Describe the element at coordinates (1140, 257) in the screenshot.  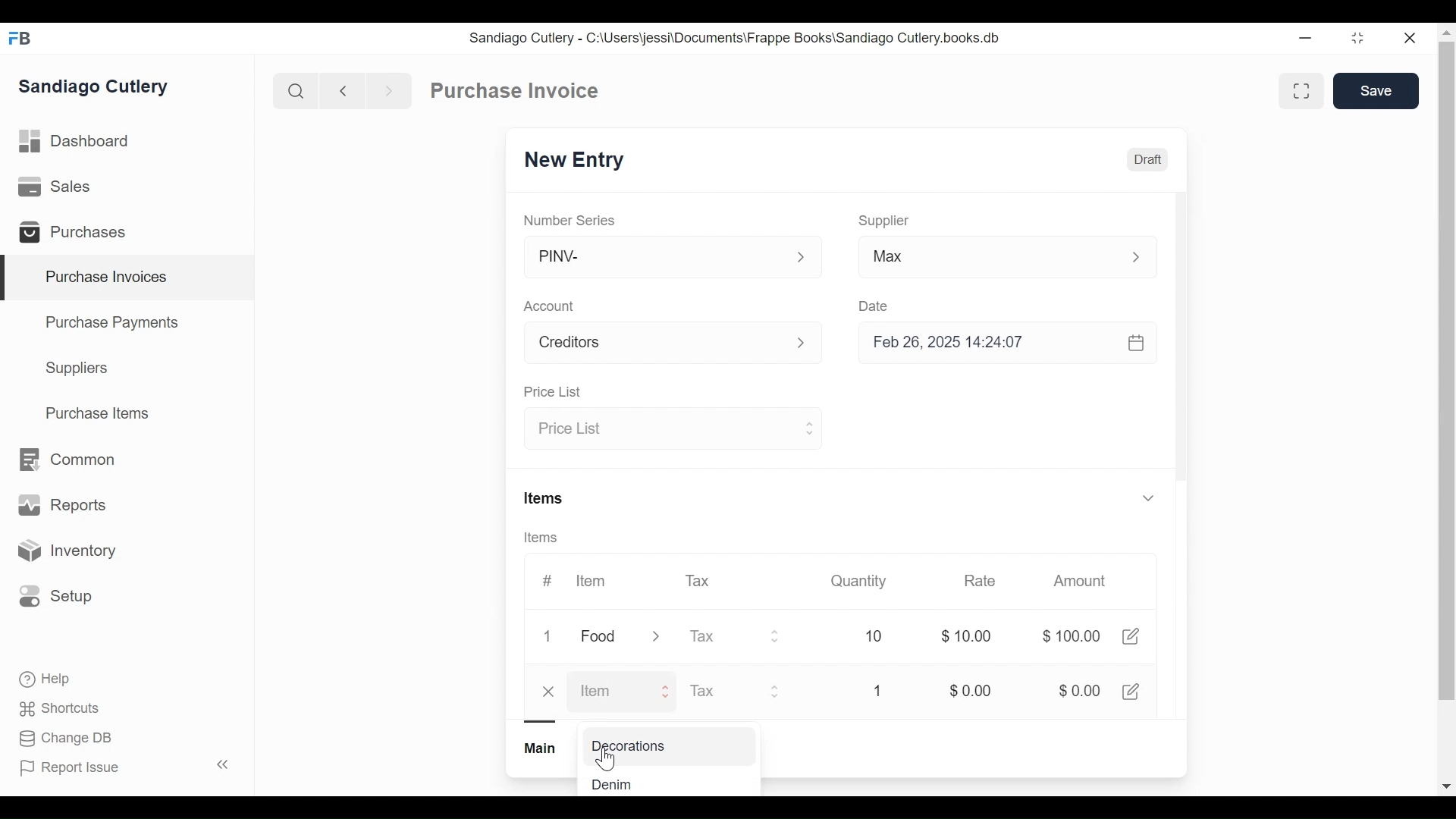
I see `Expand` at that location.